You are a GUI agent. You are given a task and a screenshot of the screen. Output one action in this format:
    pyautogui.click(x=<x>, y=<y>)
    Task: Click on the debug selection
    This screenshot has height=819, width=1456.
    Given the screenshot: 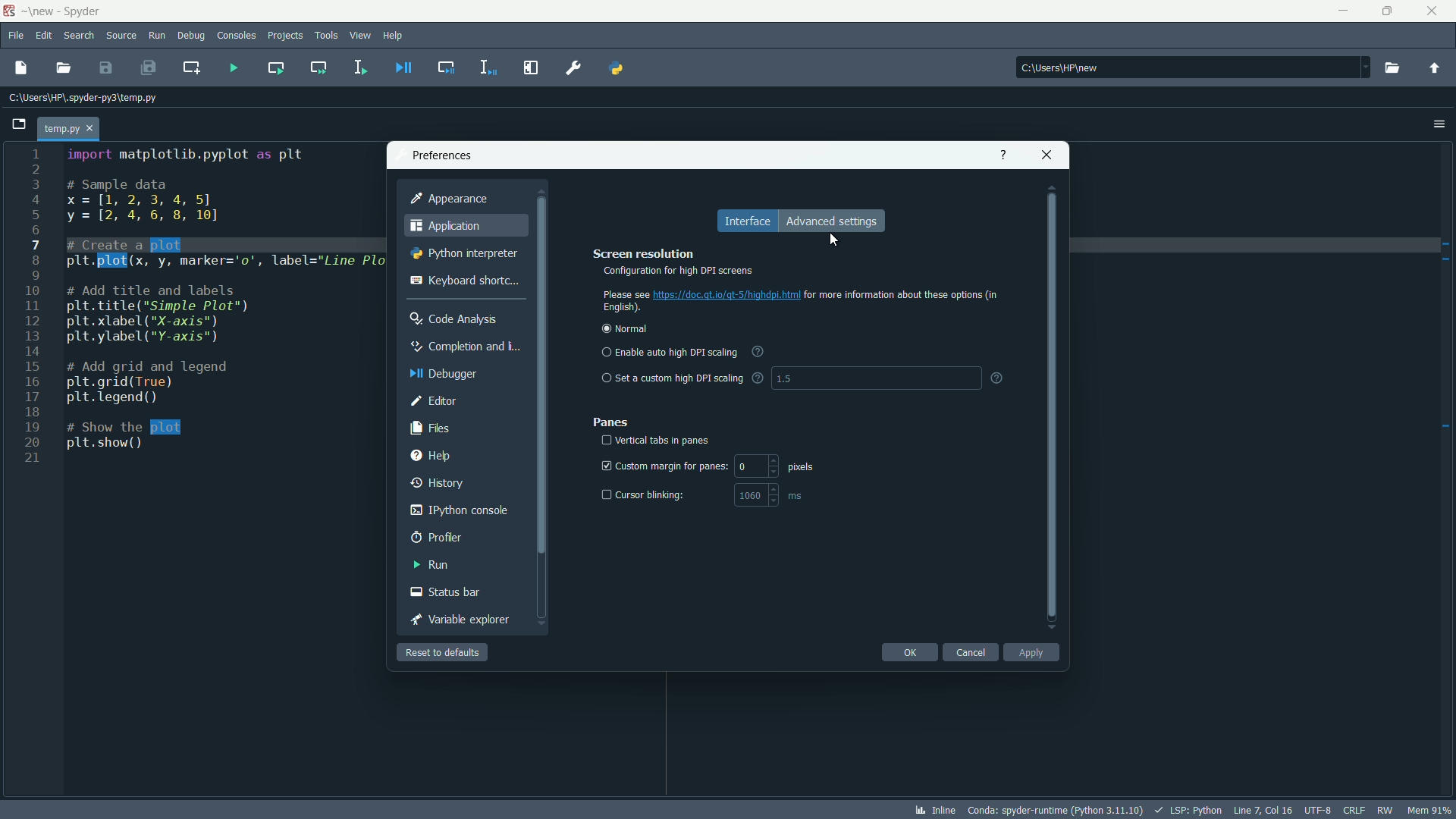 What is the action you would take?
    pyautogui.click(x=489, y=67)
    